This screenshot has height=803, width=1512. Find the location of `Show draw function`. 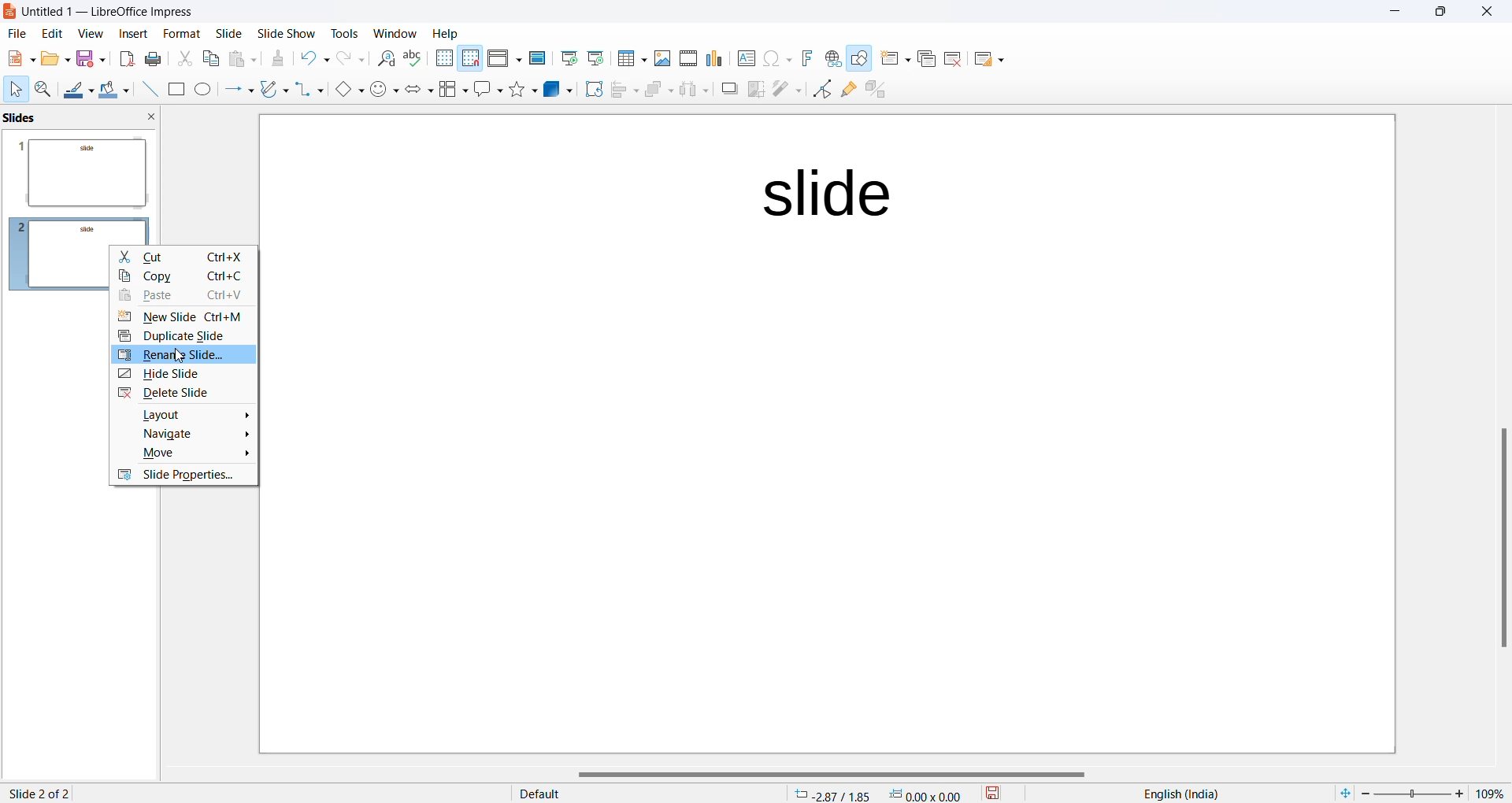

Show draw function is located at coordinates (859, 60).